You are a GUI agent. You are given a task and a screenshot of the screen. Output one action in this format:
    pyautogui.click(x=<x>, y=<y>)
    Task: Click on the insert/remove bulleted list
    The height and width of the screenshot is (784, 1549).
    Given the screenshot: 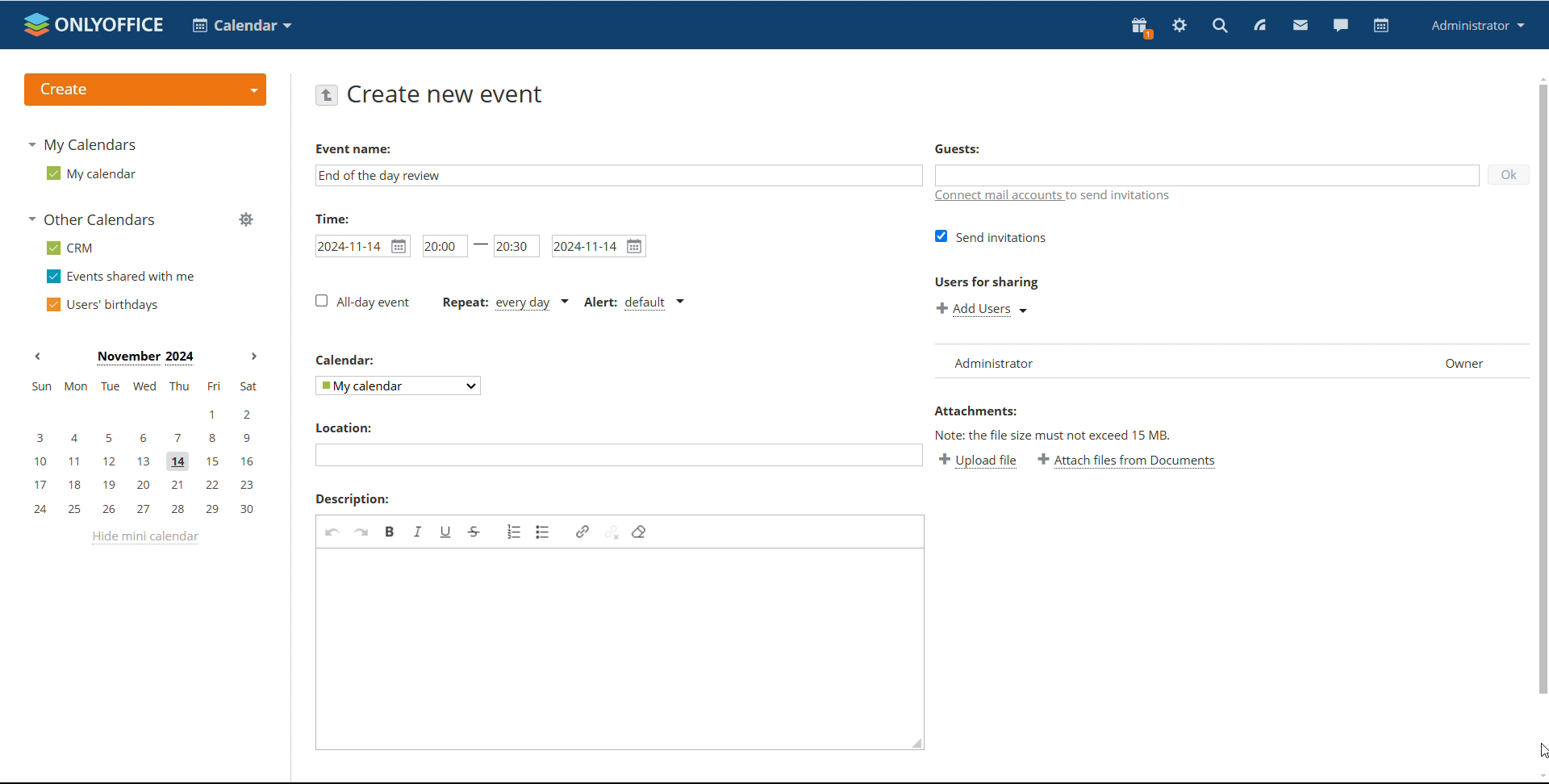 What is the action you would take?
    pyautogui.click(x=544, y=532)
    